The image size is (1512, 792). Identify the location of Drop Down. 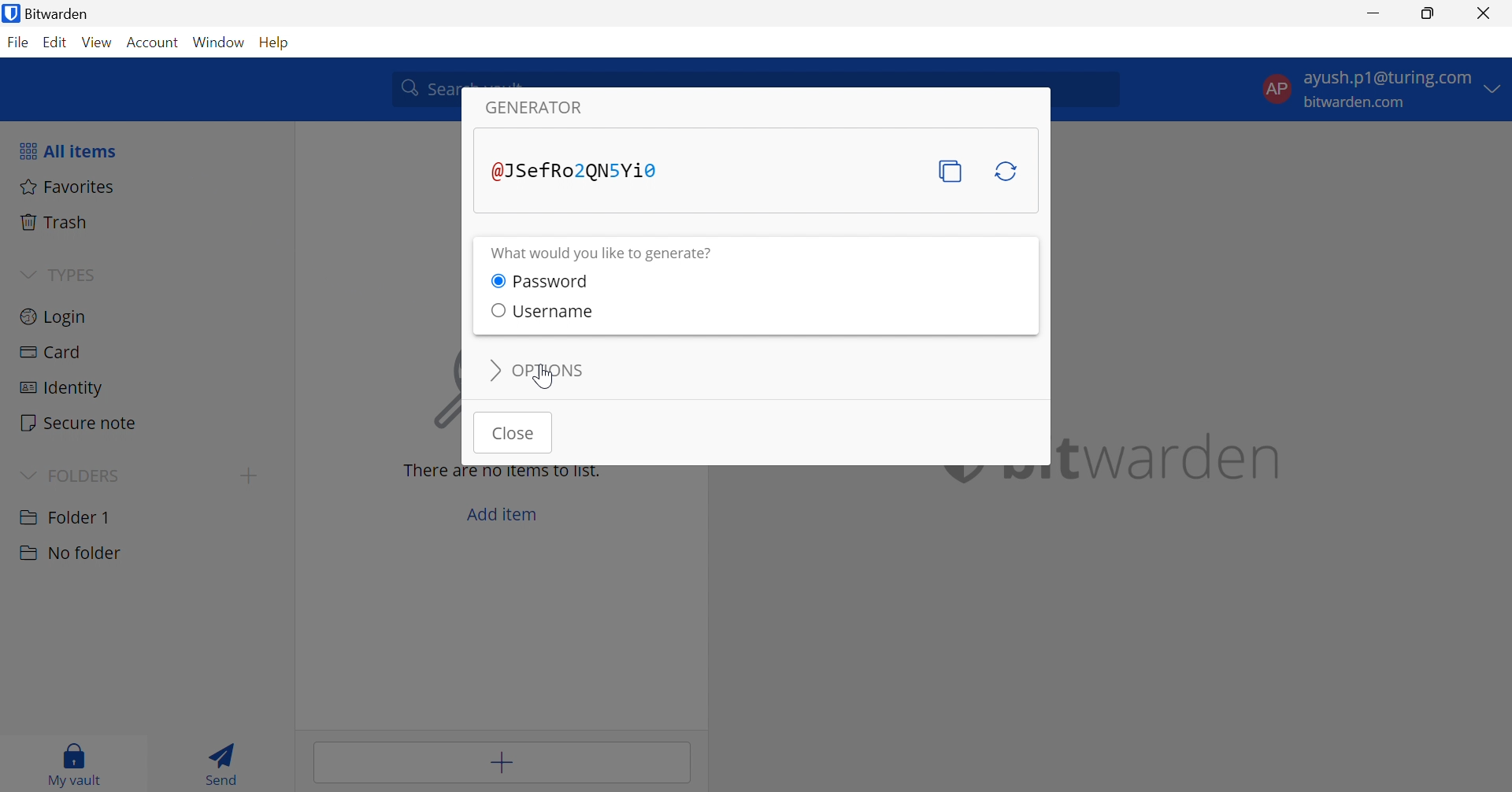
(28, 272).